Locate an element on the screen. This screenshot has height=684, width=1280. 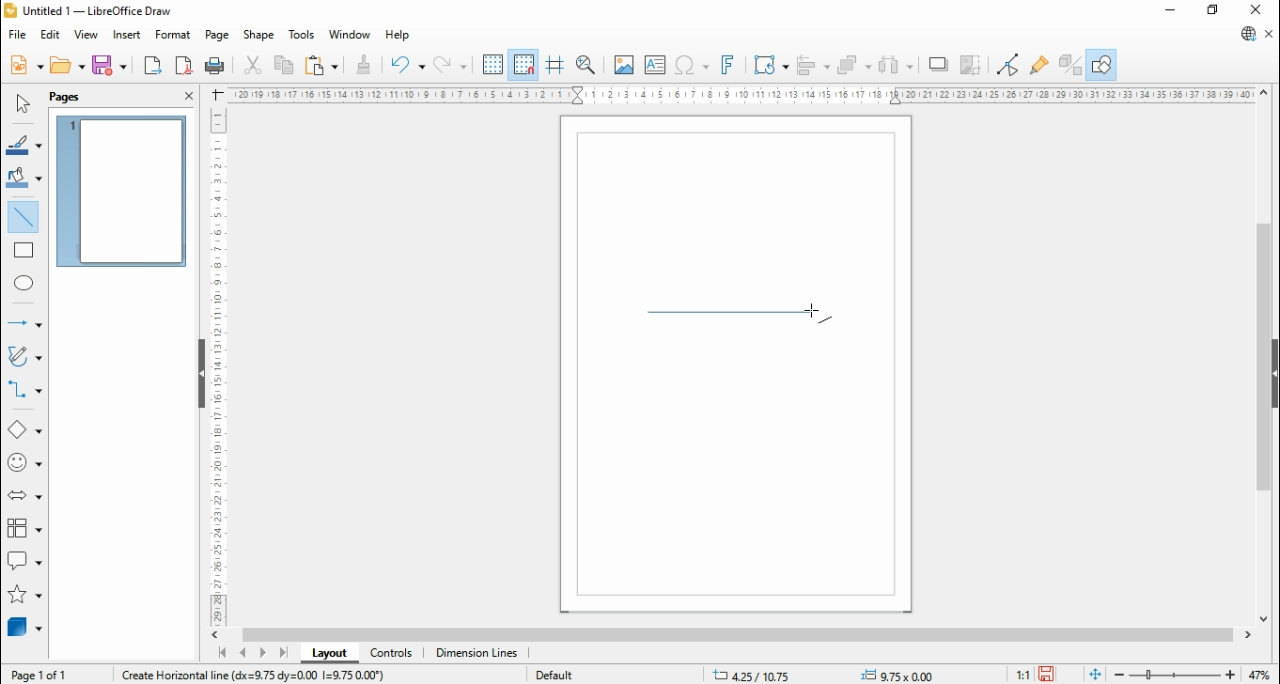
new line is located at coordinates (732, 312).